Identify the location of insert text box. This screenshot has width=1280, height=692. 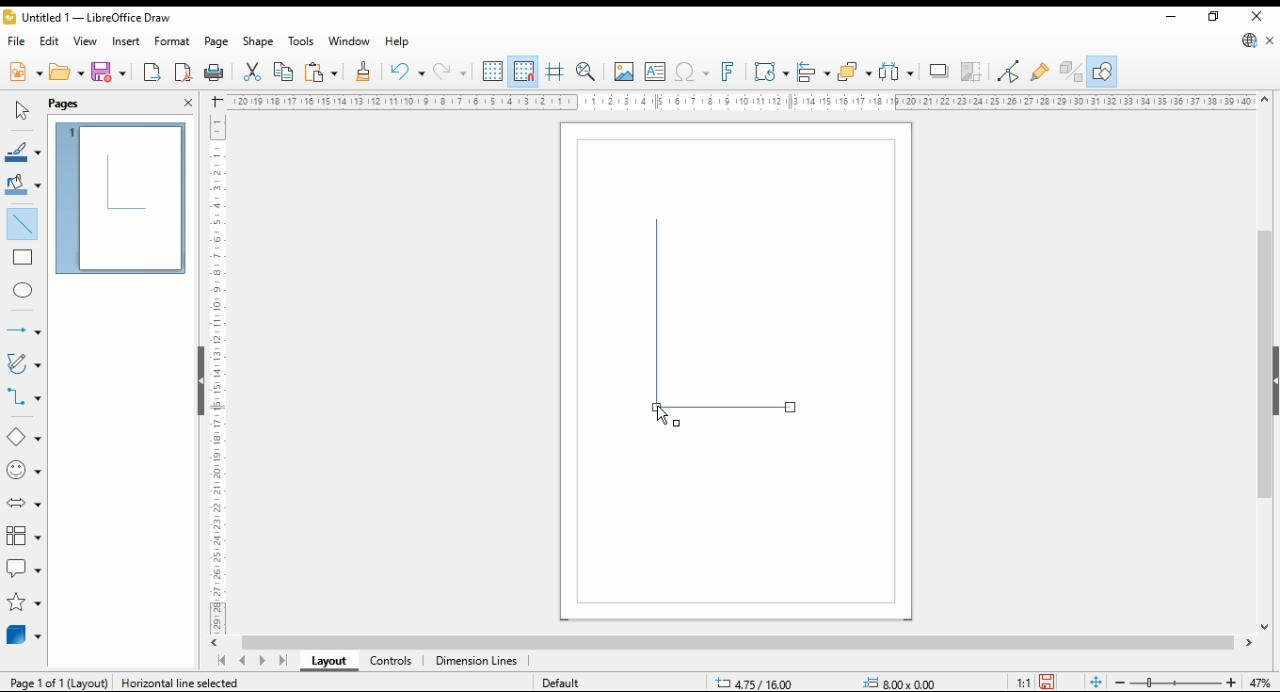
(655, 72).